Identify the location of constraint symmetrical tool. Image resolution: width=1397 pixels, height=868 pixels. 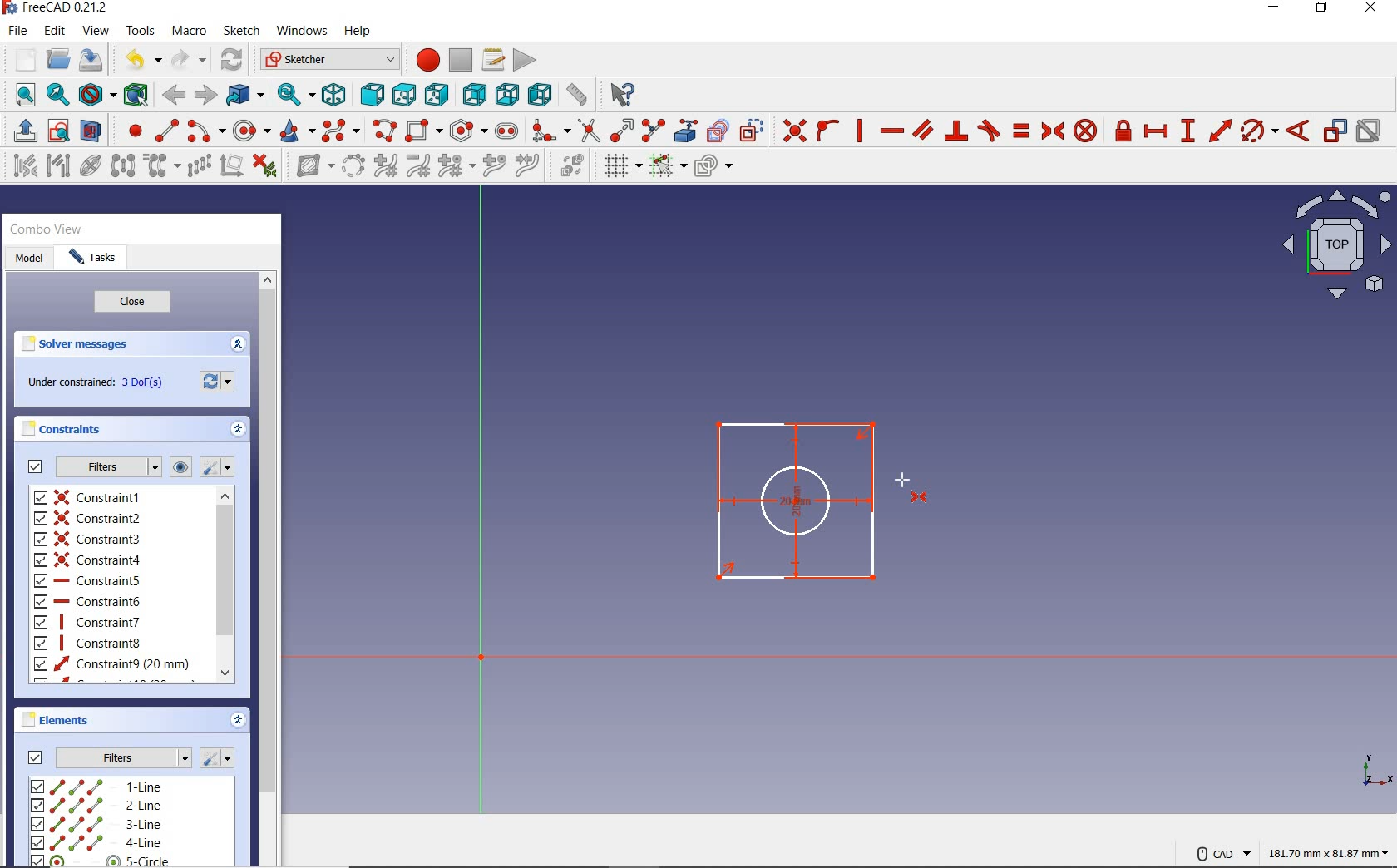
(926, 497).